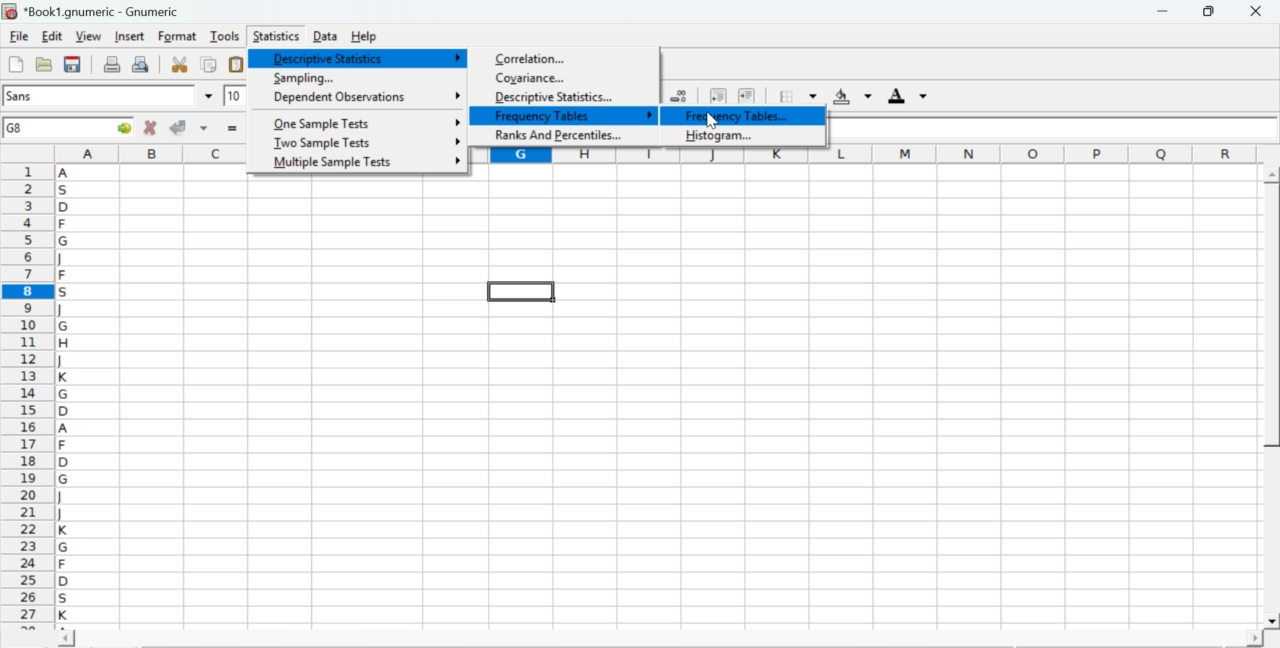  Describe the element at coordinates (141, 63) in the screenshot. I see `print preview` at that location.